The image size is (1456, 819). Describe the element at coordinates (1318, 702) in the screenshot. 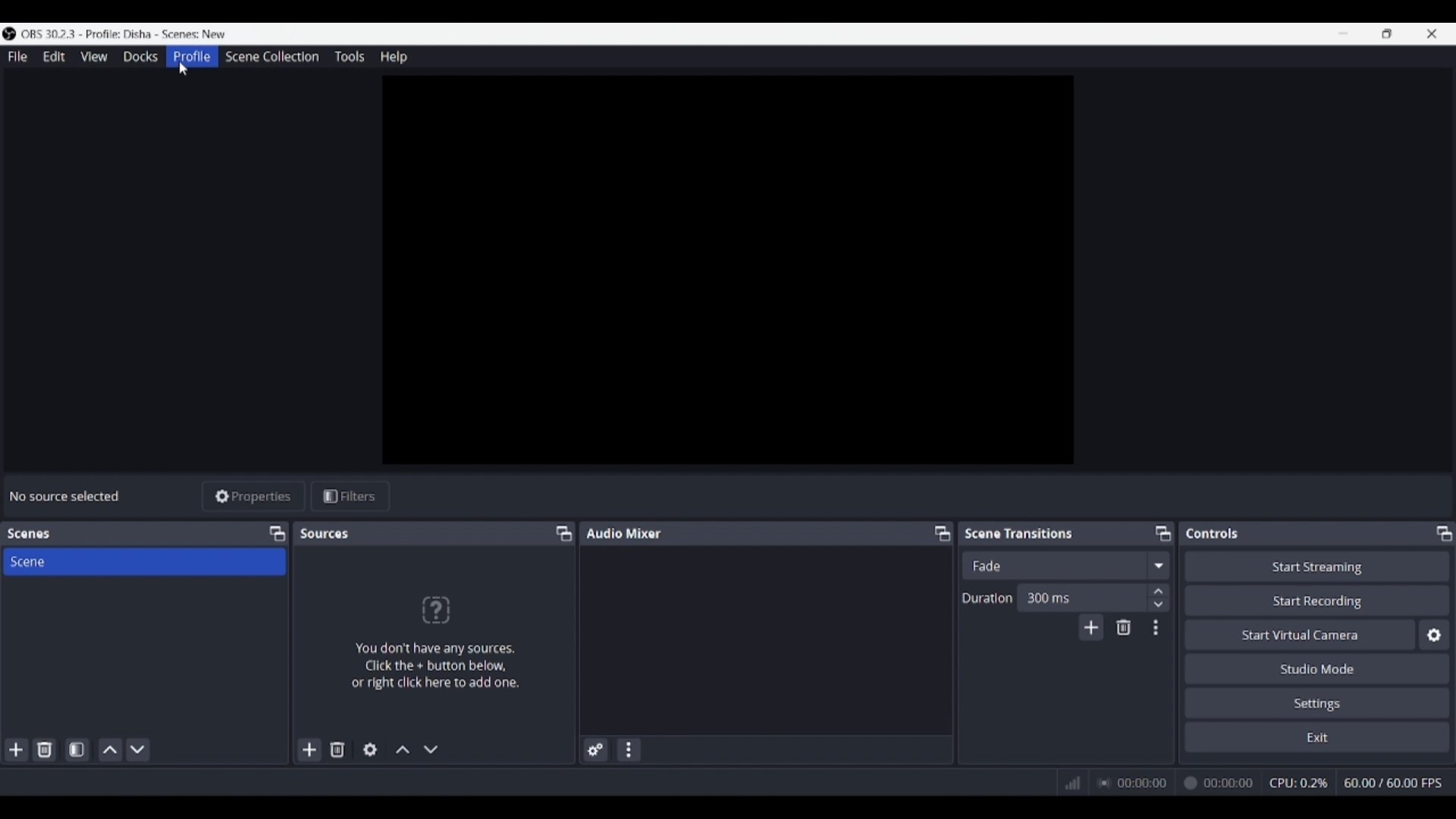

I see `Settings` at that location.